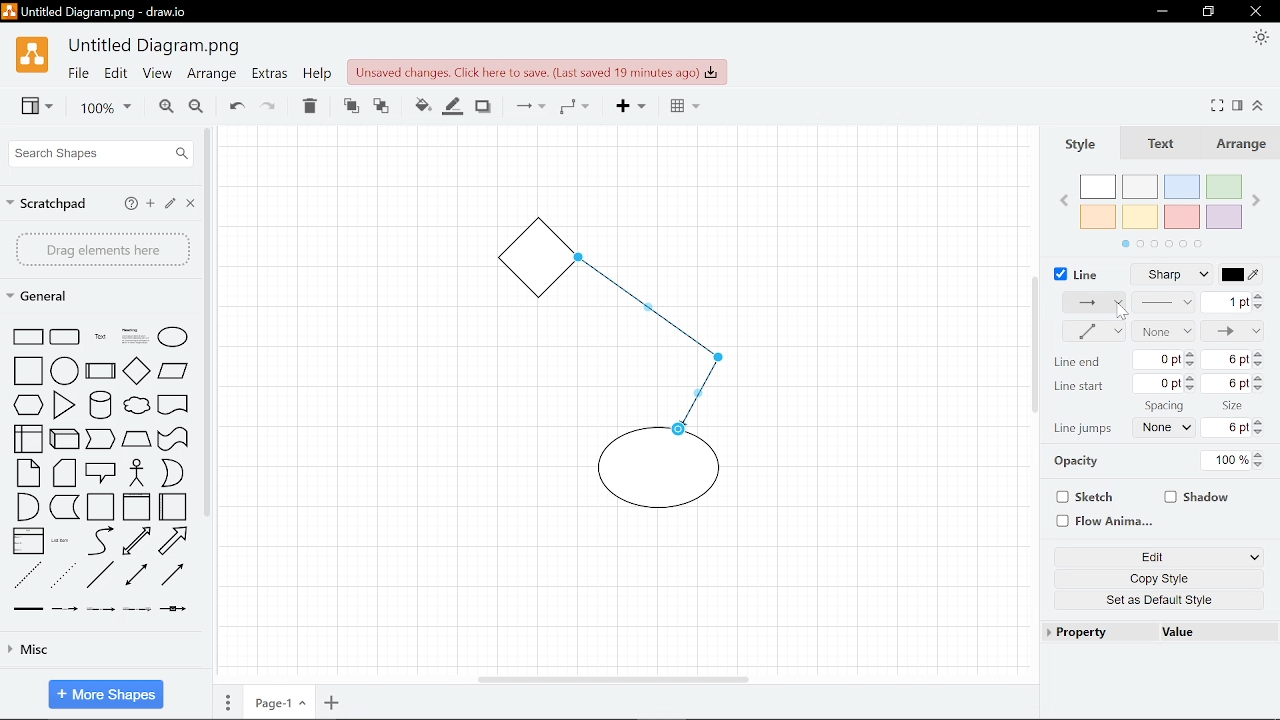  What do you see at coordinates (1167, 428) in the screenshot?
I see `none` at bounding box center [1167, 428].